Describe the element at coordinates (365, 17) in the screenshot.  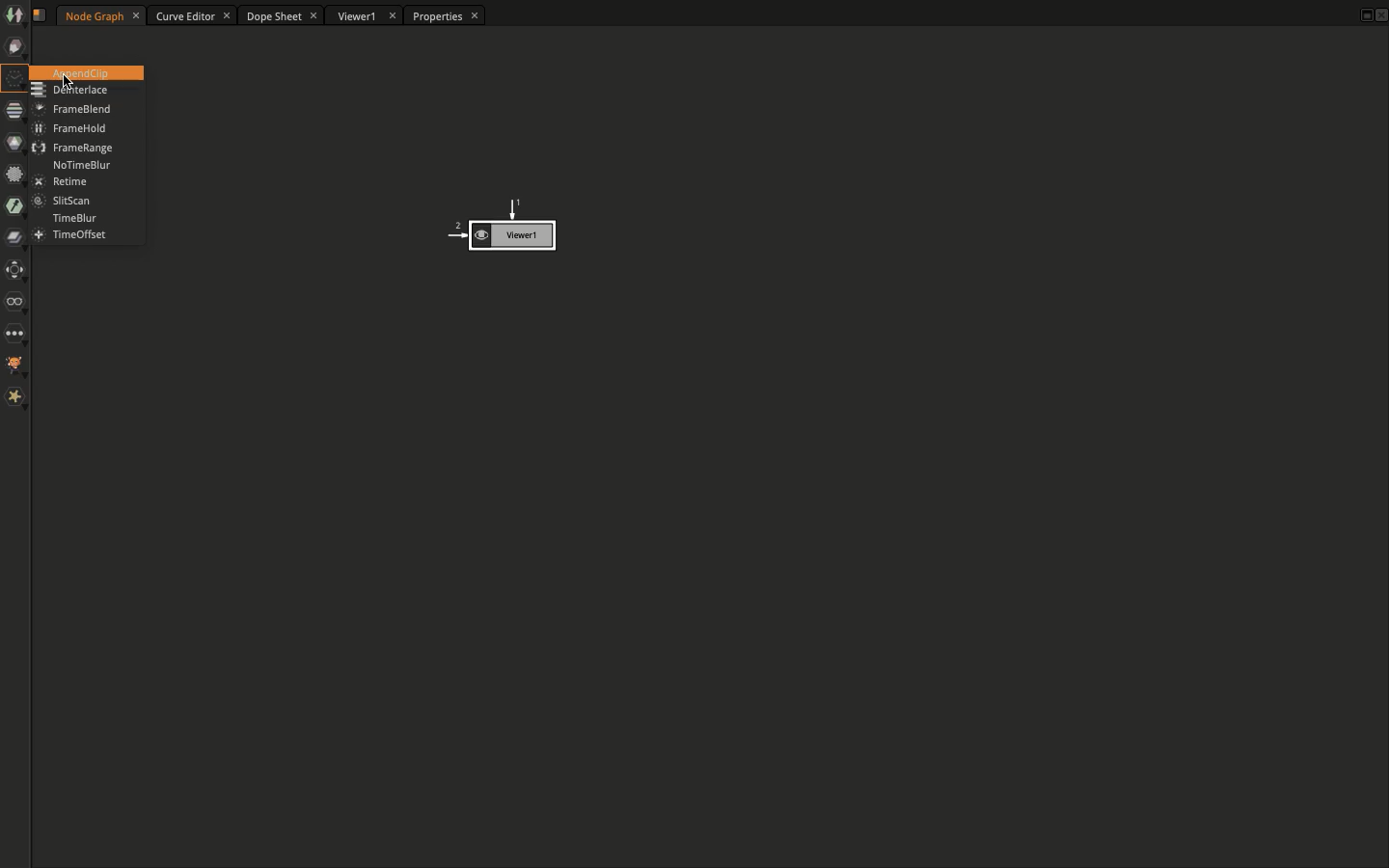
I see `Viewer1` at that location.